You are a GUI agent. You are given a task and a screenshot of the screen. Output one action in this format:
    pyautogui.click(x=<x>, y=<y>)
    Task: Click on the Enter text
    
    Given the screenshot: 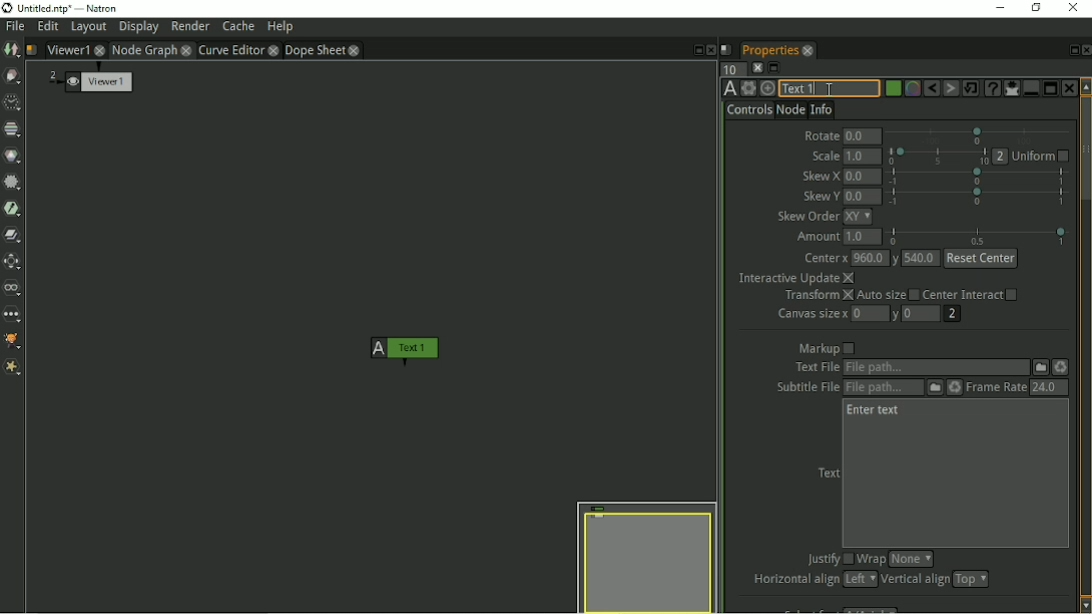 What is the action you would take?
    pyautogui.click(x=875, y=410)
    